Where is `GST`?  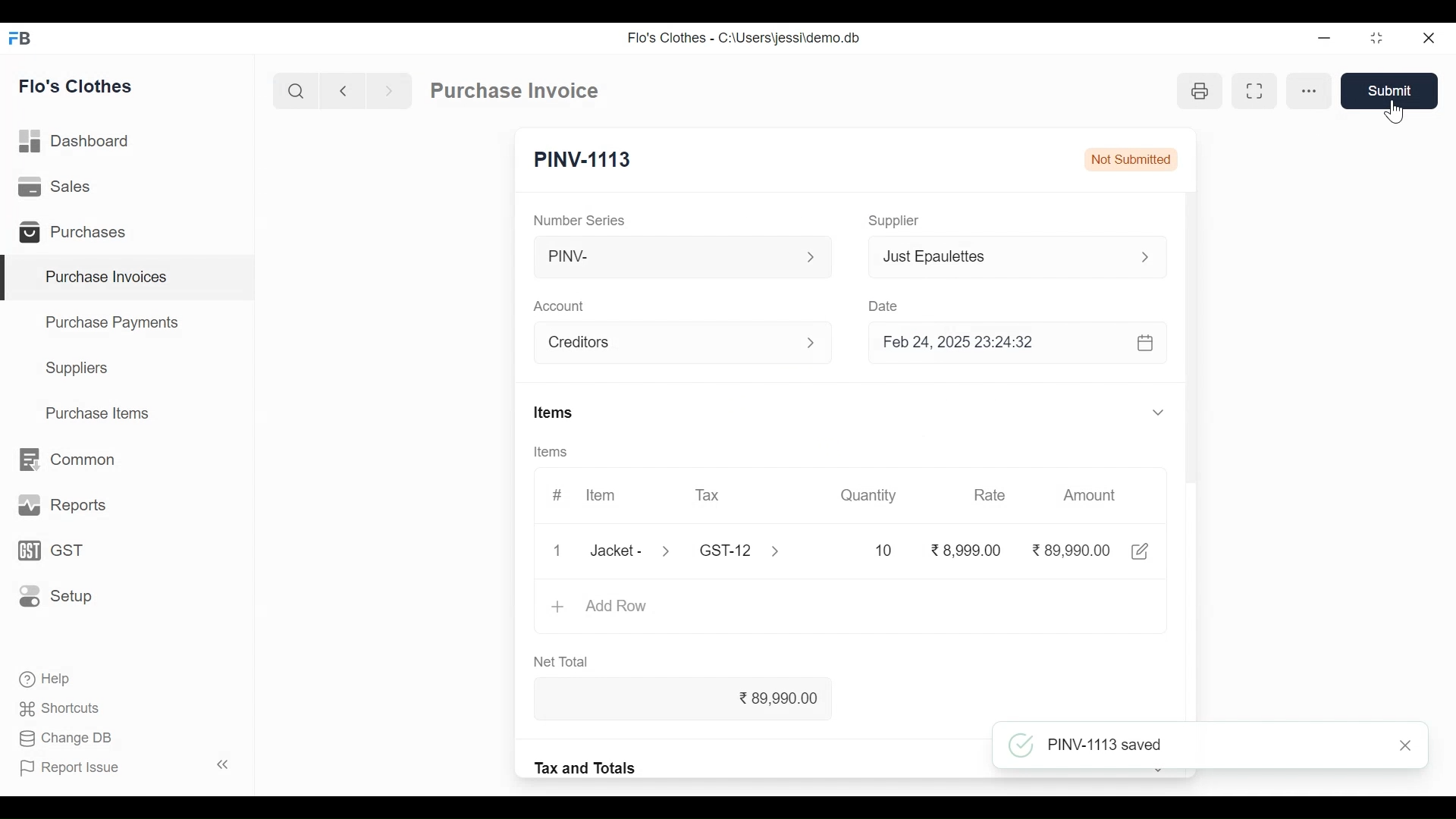 GST is located at coordinates (50, 551).